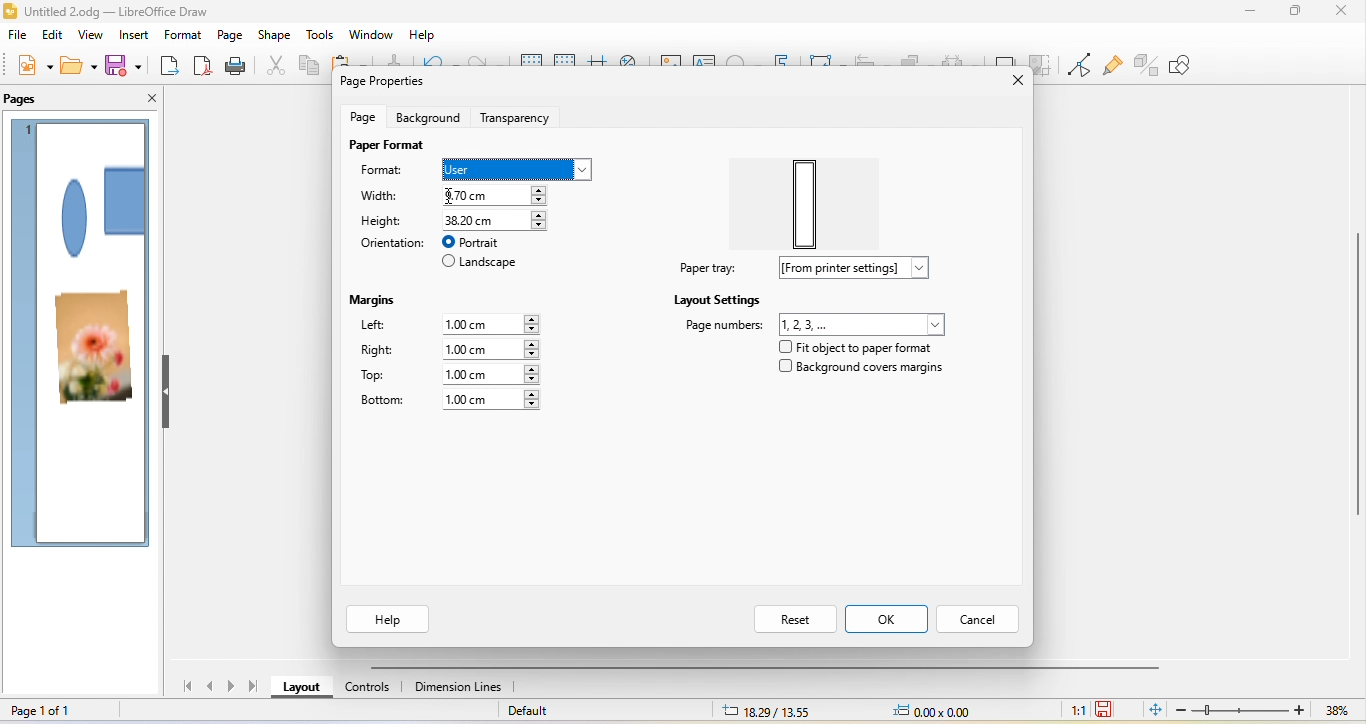 This screenshot has width=1366, height=724. Describe the element at coordinates (90, 37) in the screenshot. I see `view` at that location.